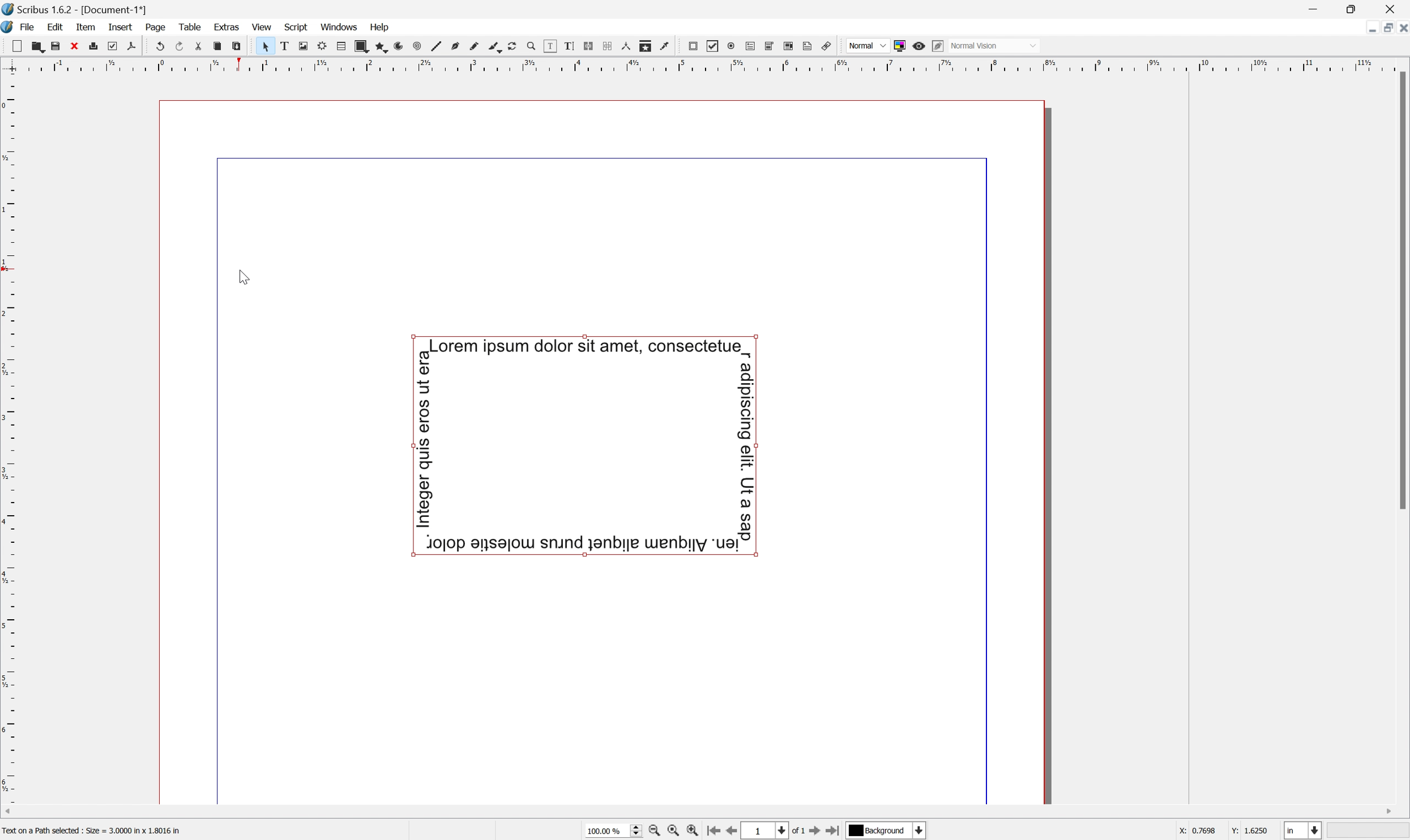  What do you see at coordinates (341, 45) in the screenshot?
I see `Table` at bounding box center [341, 45].